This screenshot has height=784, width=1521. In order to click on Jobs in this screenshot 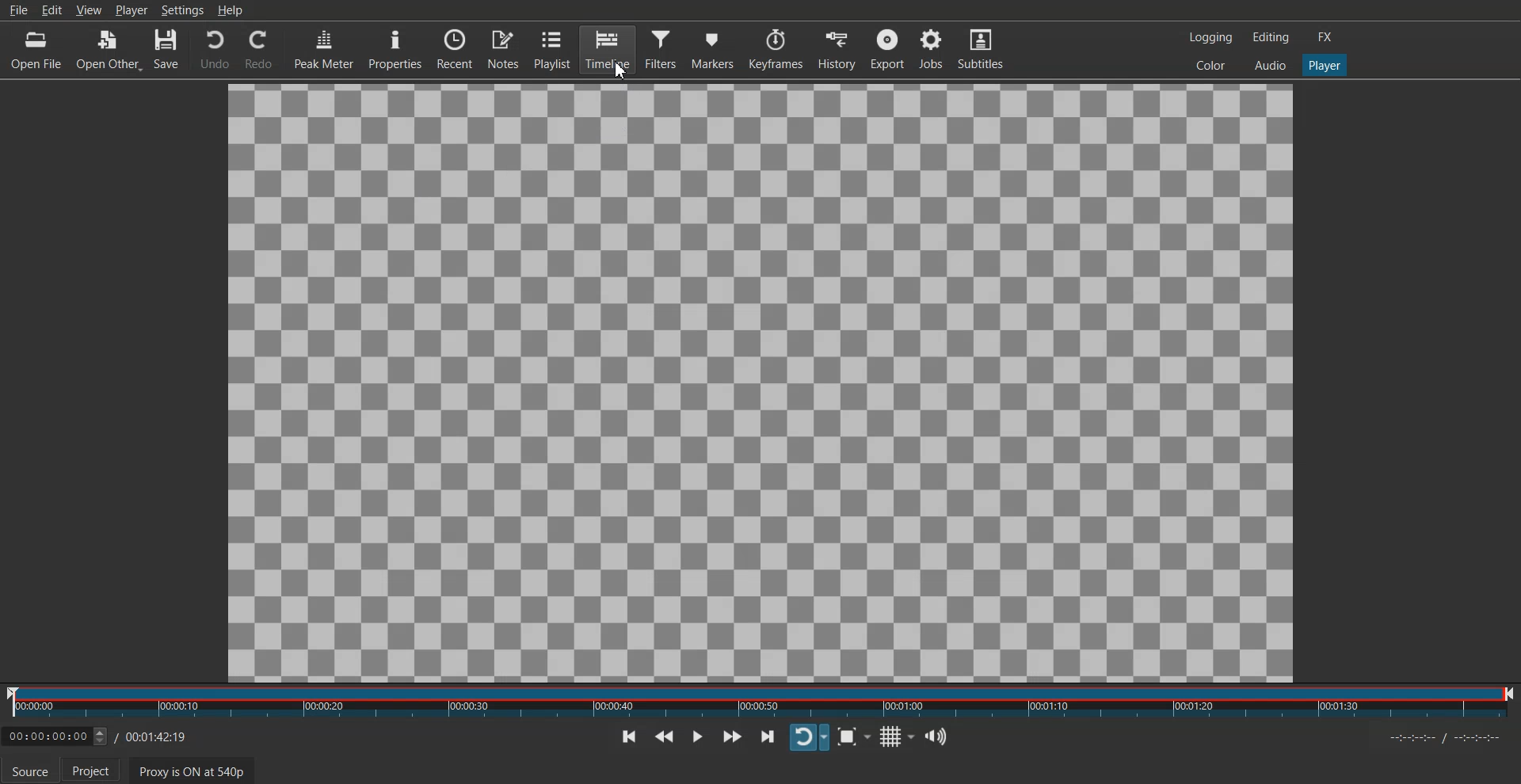, I will do `click(930, 48)`.